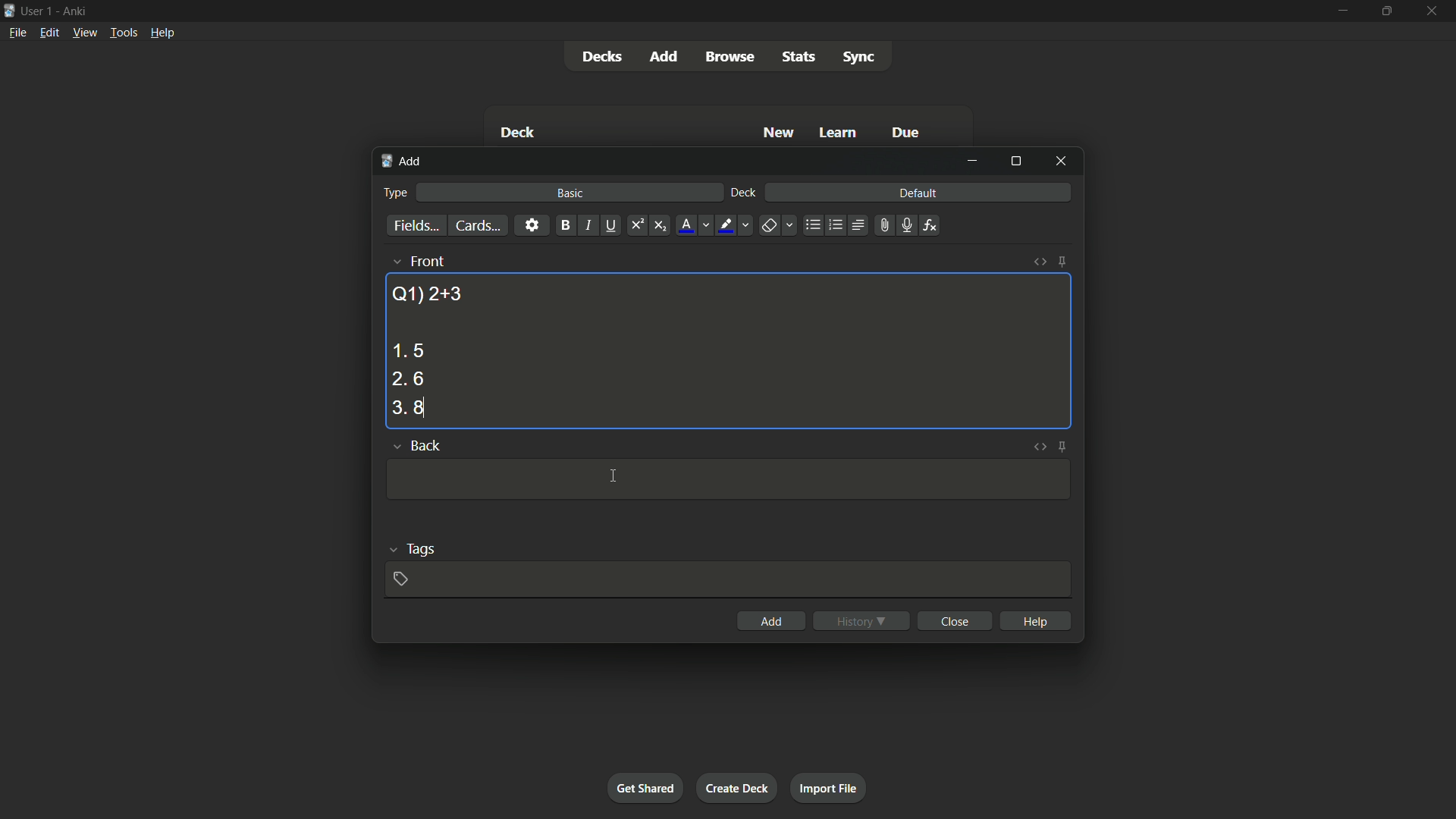  What do you see at coordinates (1433, 11) in the screenshot?
I see `close app` at bounding box center [1433, 11].